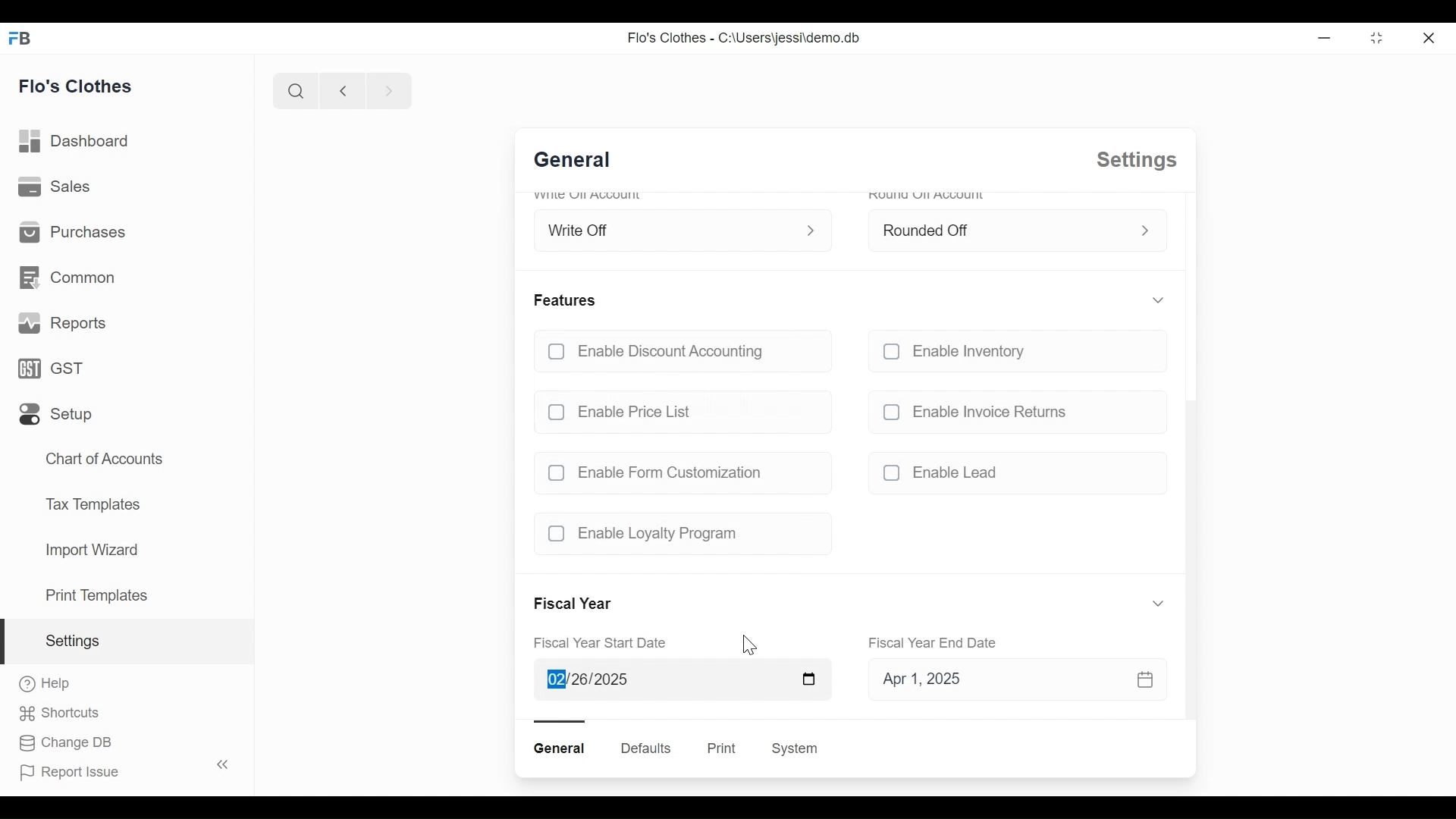  I want to click on Expand, so click(1156, 300).